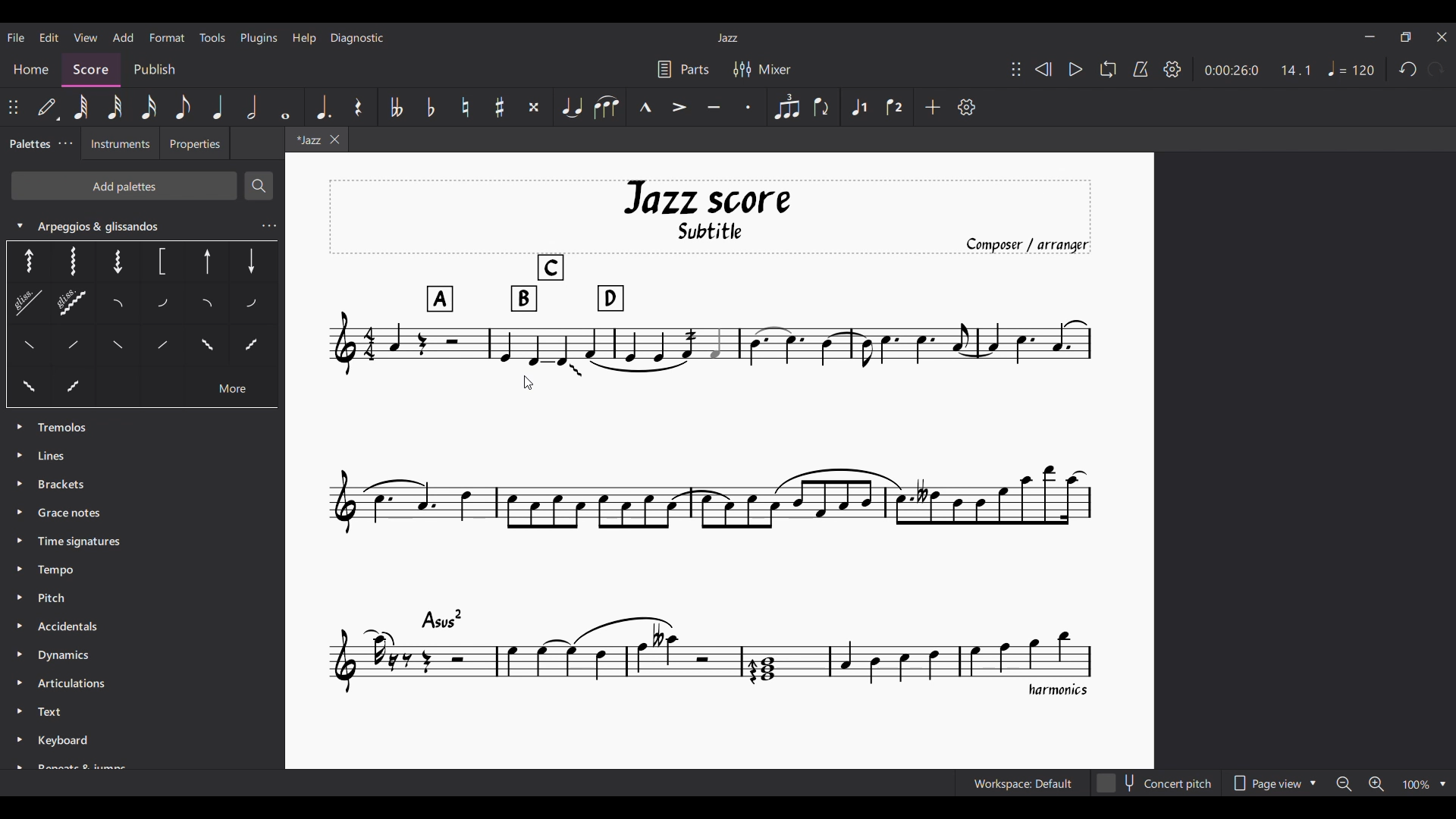 The width and height of the screenshot is (1456, 819). I want to click on Tempo, so click(58, 571).